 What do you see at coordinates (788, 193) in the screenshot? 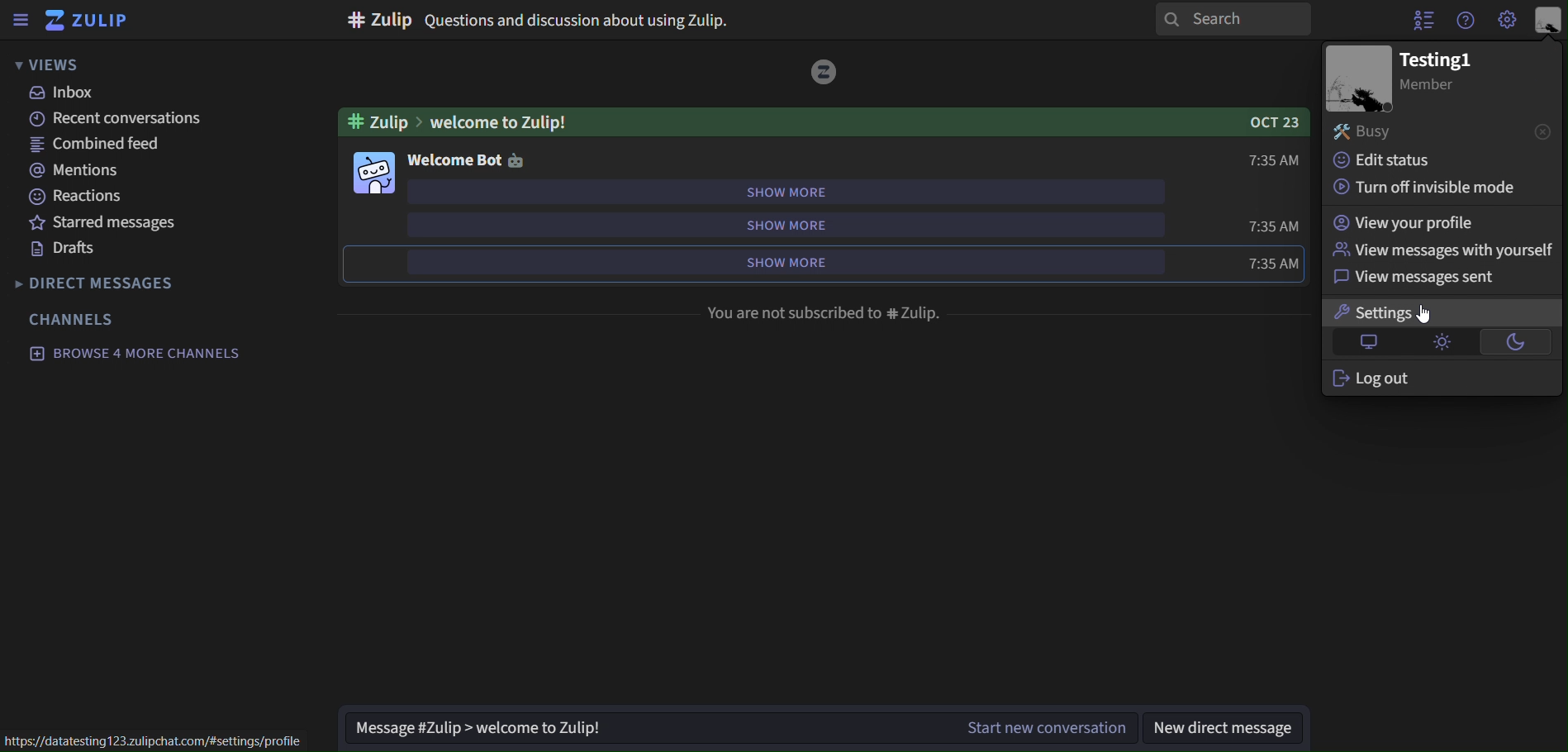
I see ` show more` at bounding box center [788, 193].